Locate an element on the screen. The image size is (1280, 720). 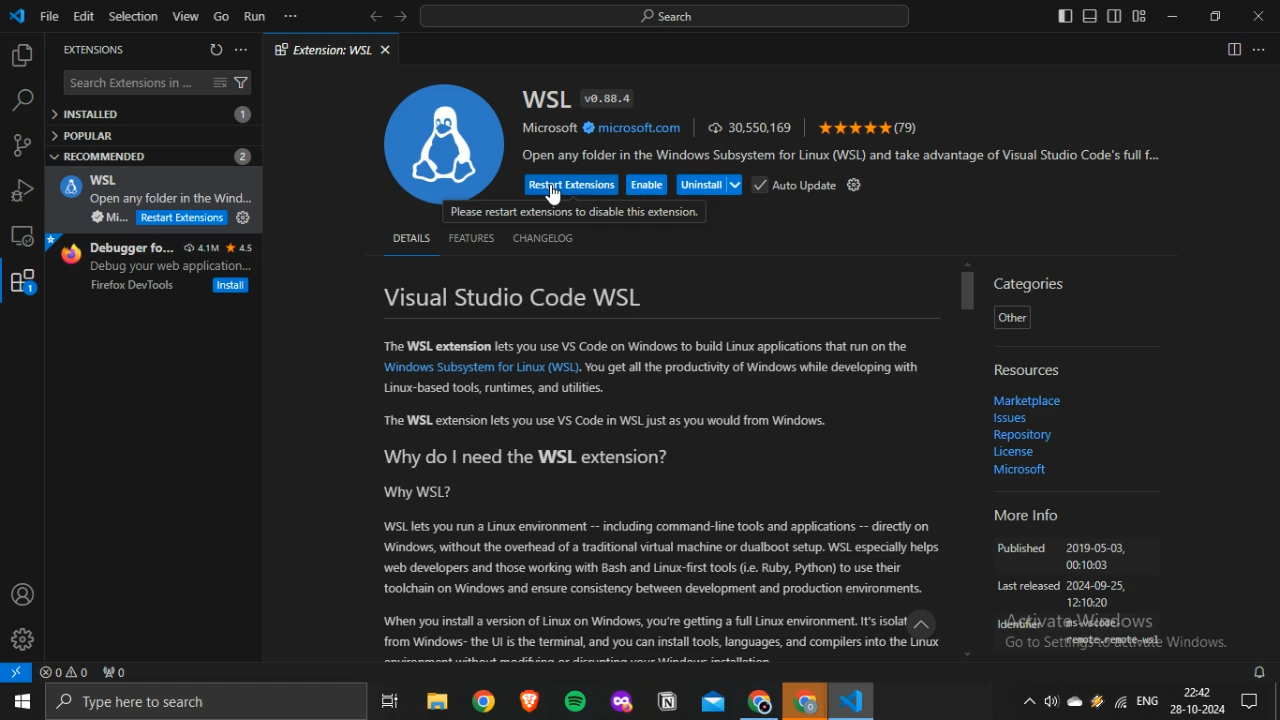
no ports forwarded is located at coordinates (115, 672).